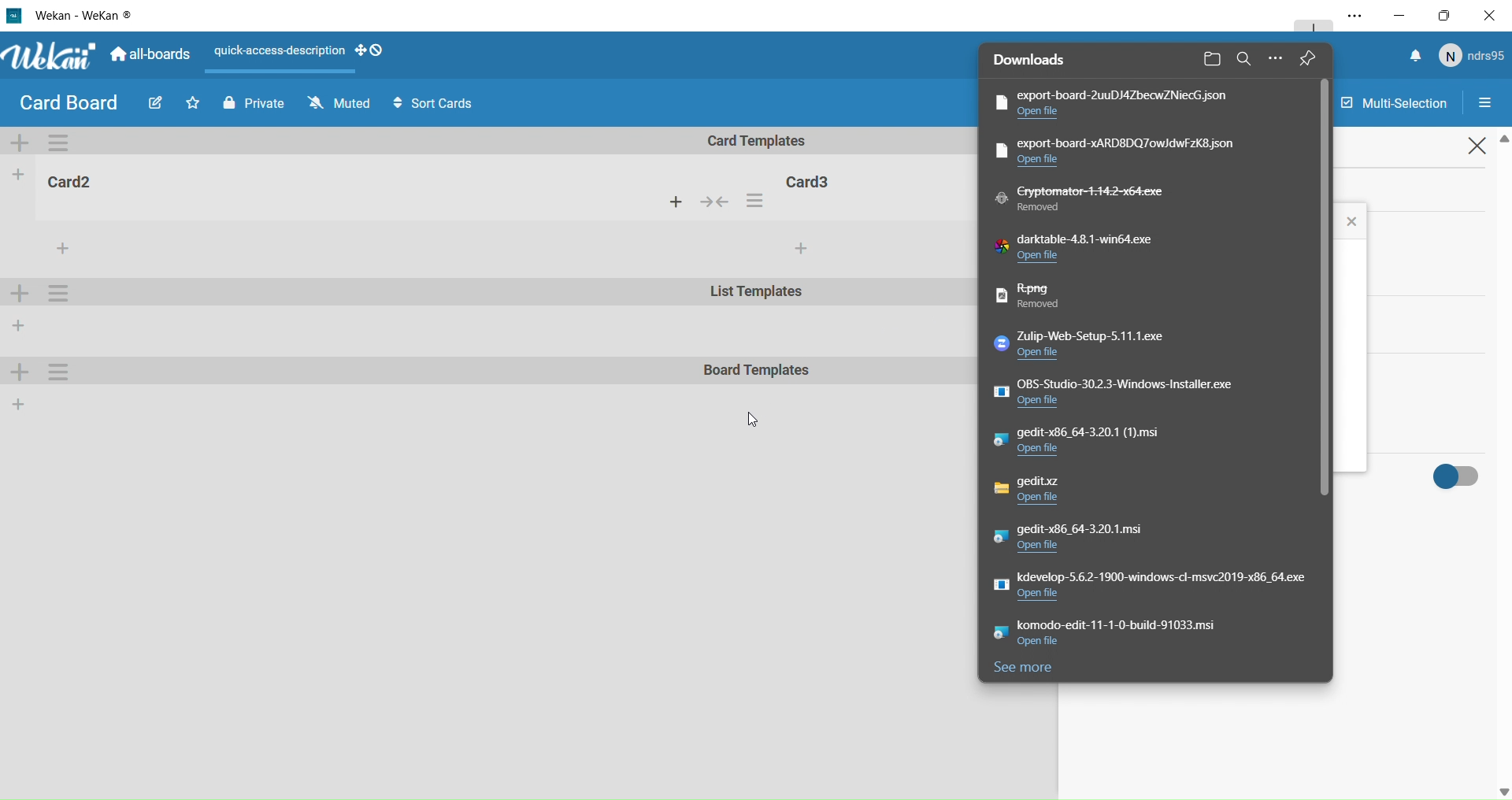  I want to click on downloaded file, so click(1090, 252).